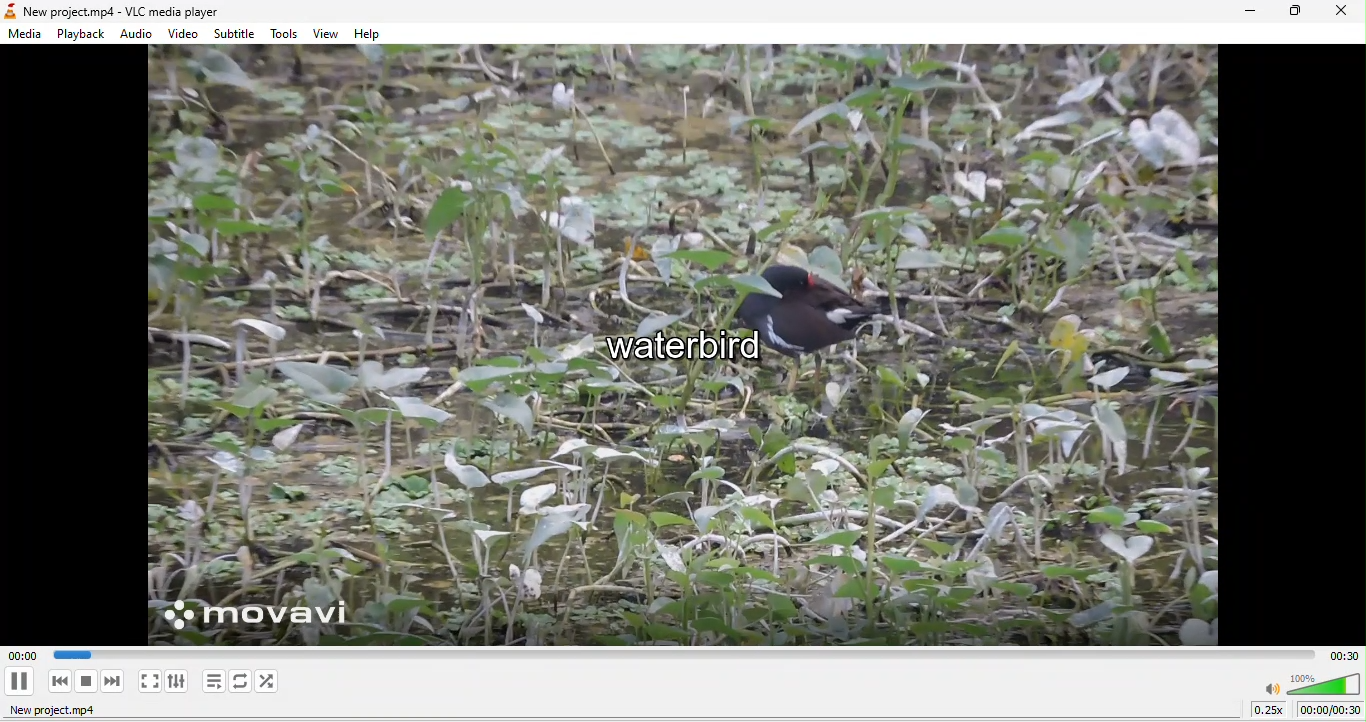 Image resolution: width=1366 pixels, height=722 pixels. I want to click on volume, so click(1312, 682).